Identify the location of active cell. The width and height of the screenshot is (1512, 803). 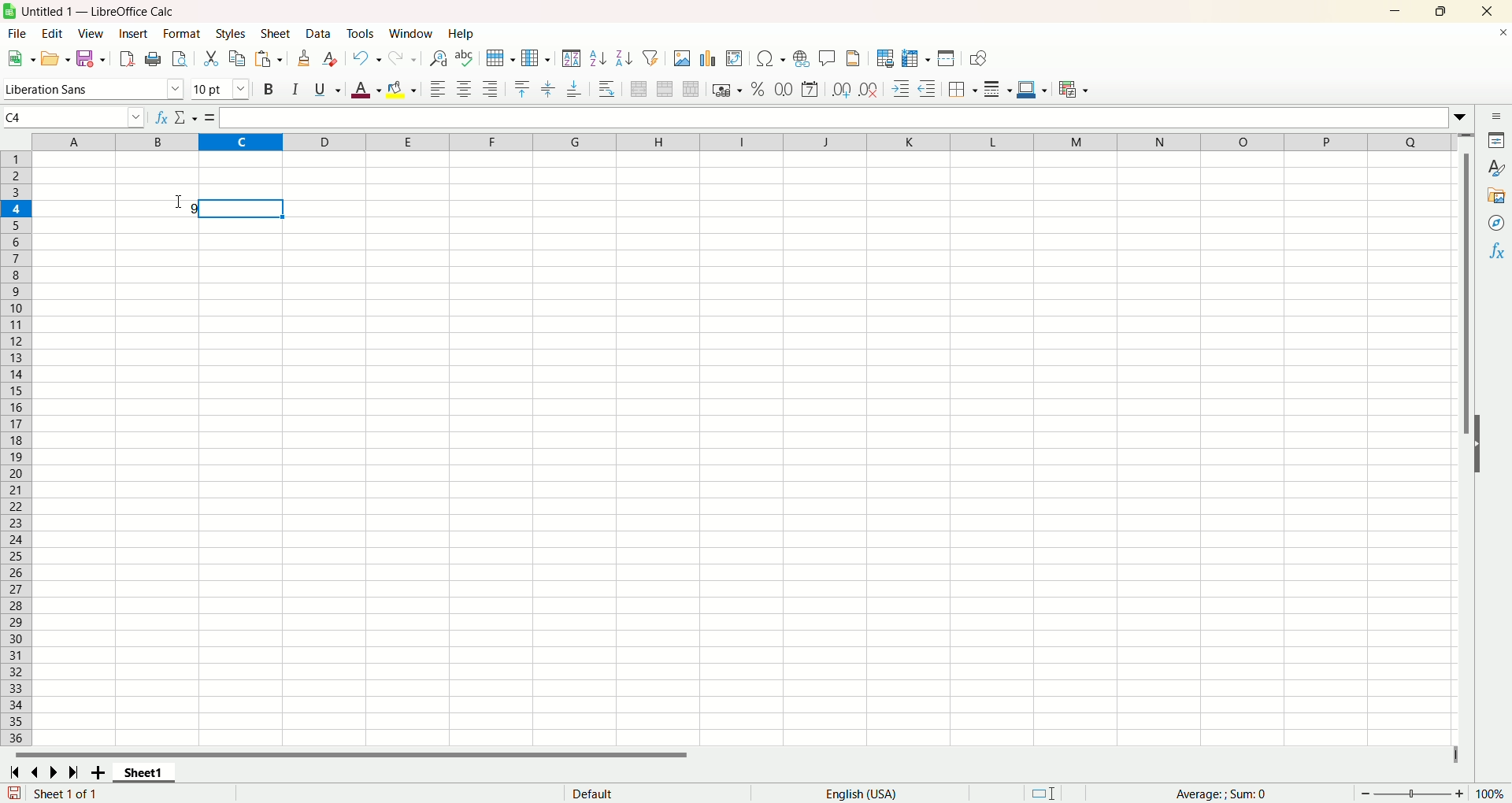
(240, 209).